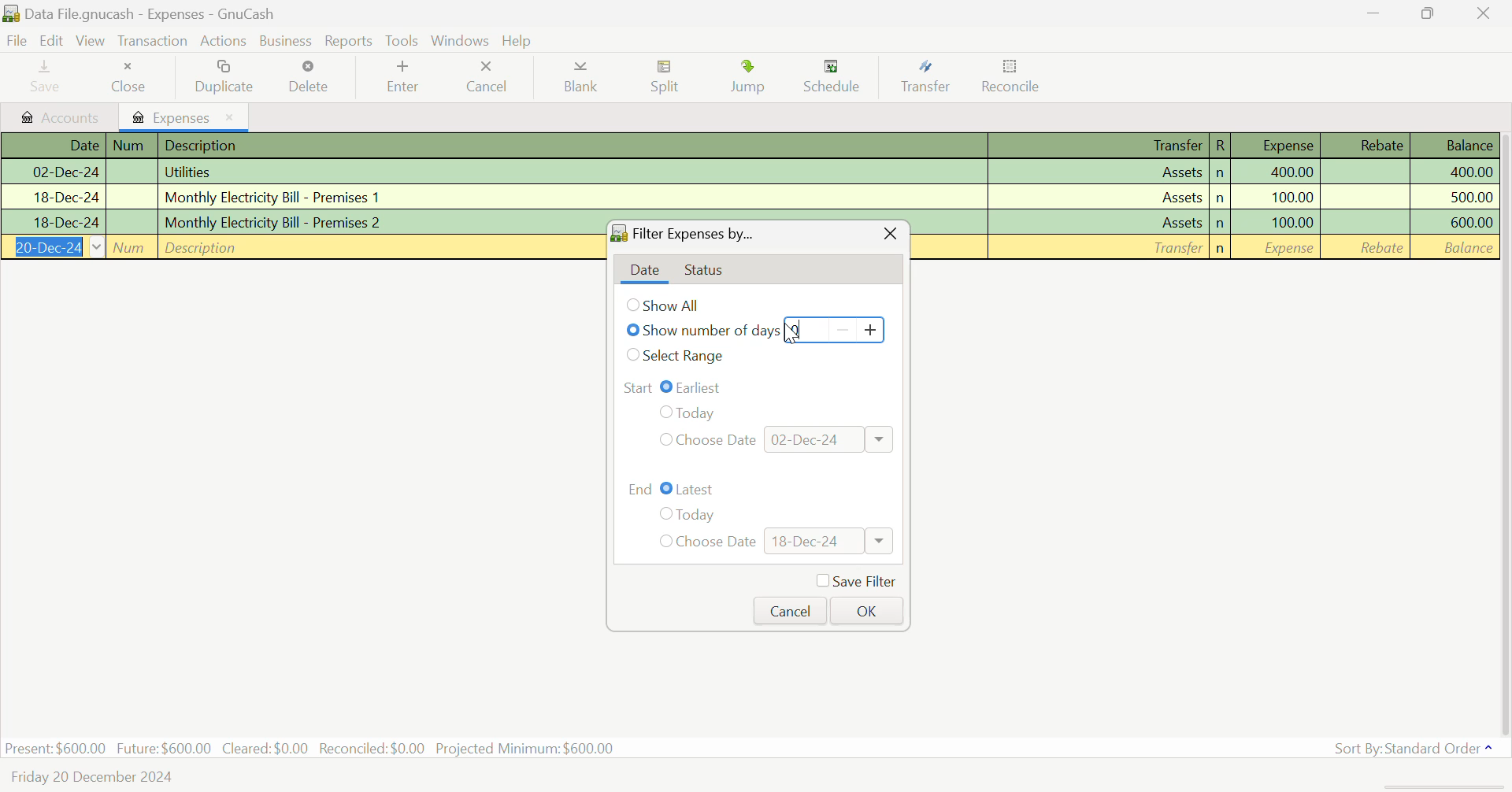 This screenshot has height=792, width=1512. Describe the element at coordinates (669, 305) in the screenshot. I see `Show All` at that location.